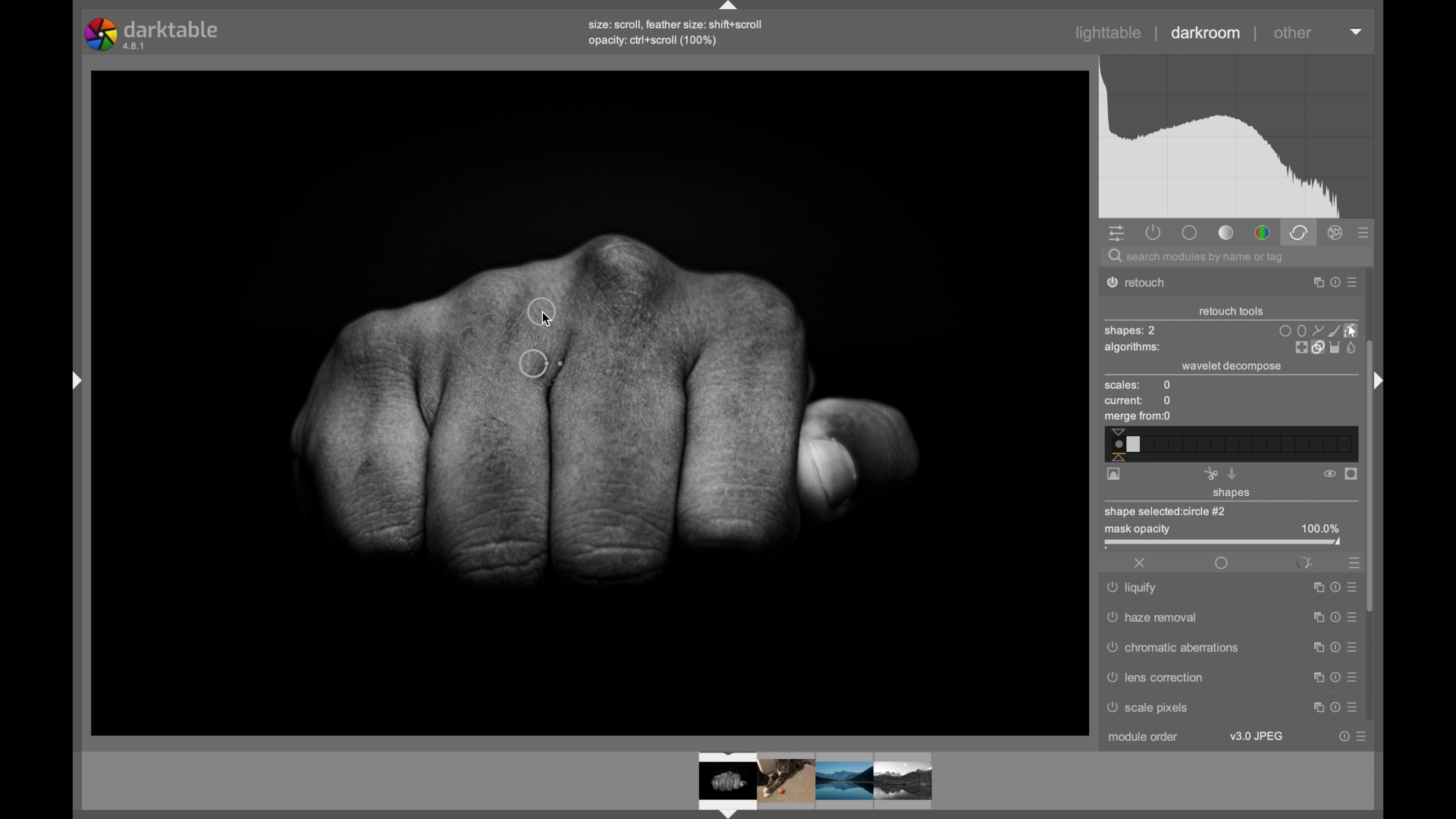  Describe the element at coordinates (1293, 33) in the screenshot. I see `other` at that location.